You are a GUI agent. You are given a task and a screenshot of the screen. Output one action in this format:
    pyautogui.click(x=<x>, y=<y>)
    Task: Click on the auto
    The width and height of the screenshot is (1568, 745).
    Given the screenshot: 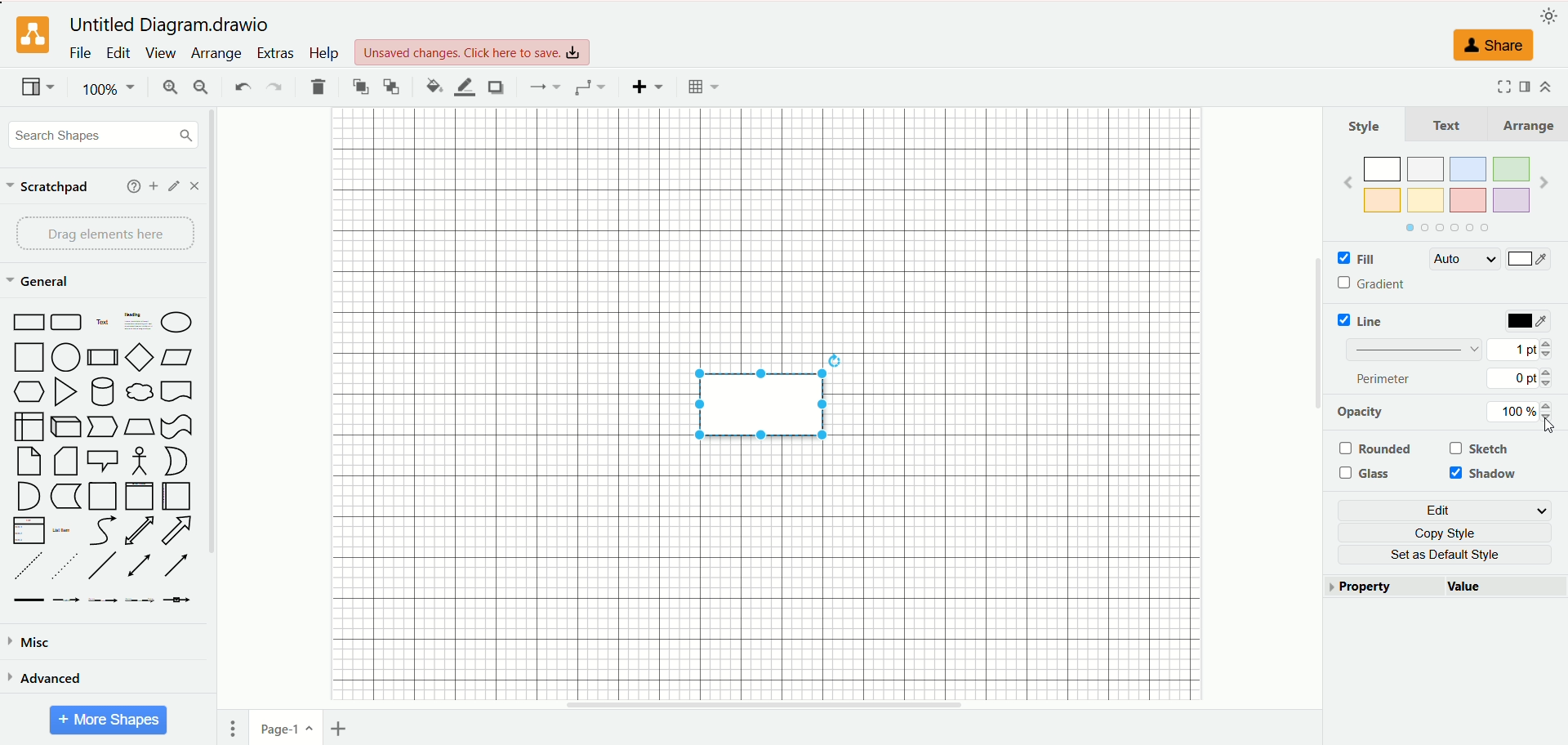 What is the action you would take?
    pyautogui.click(x=1463, y=259)
    